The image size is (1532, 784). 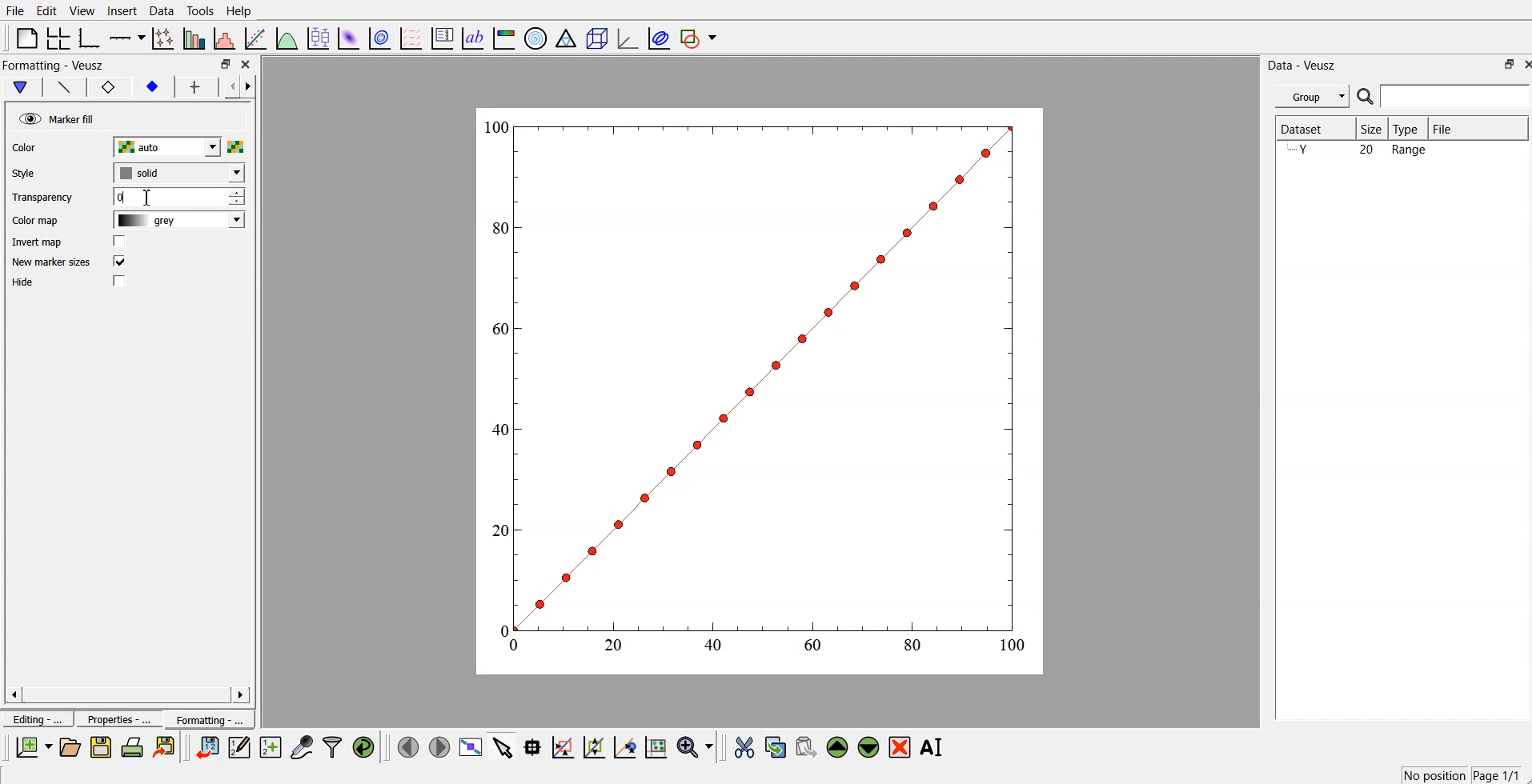 I want to click on Color, so click(x=28, y=147).